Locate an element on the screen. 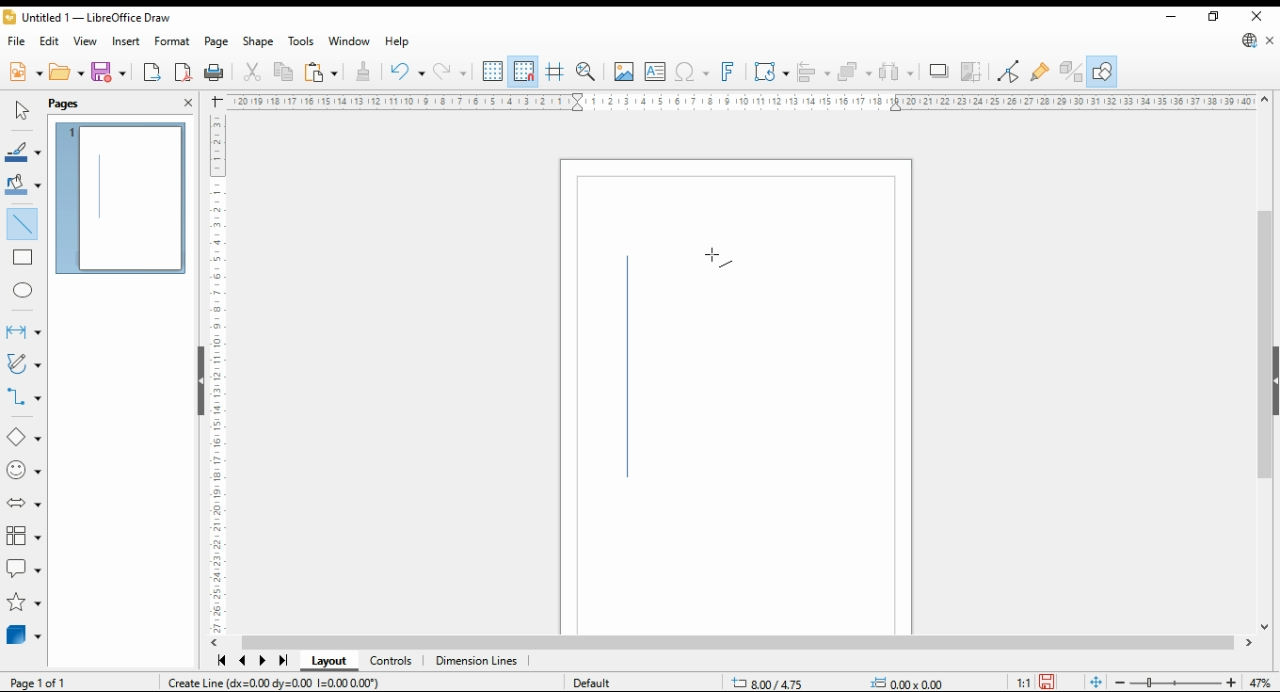 The height and width of the screenshot is (692, 1280). lines and arrows is located at coordinates (23, 331).